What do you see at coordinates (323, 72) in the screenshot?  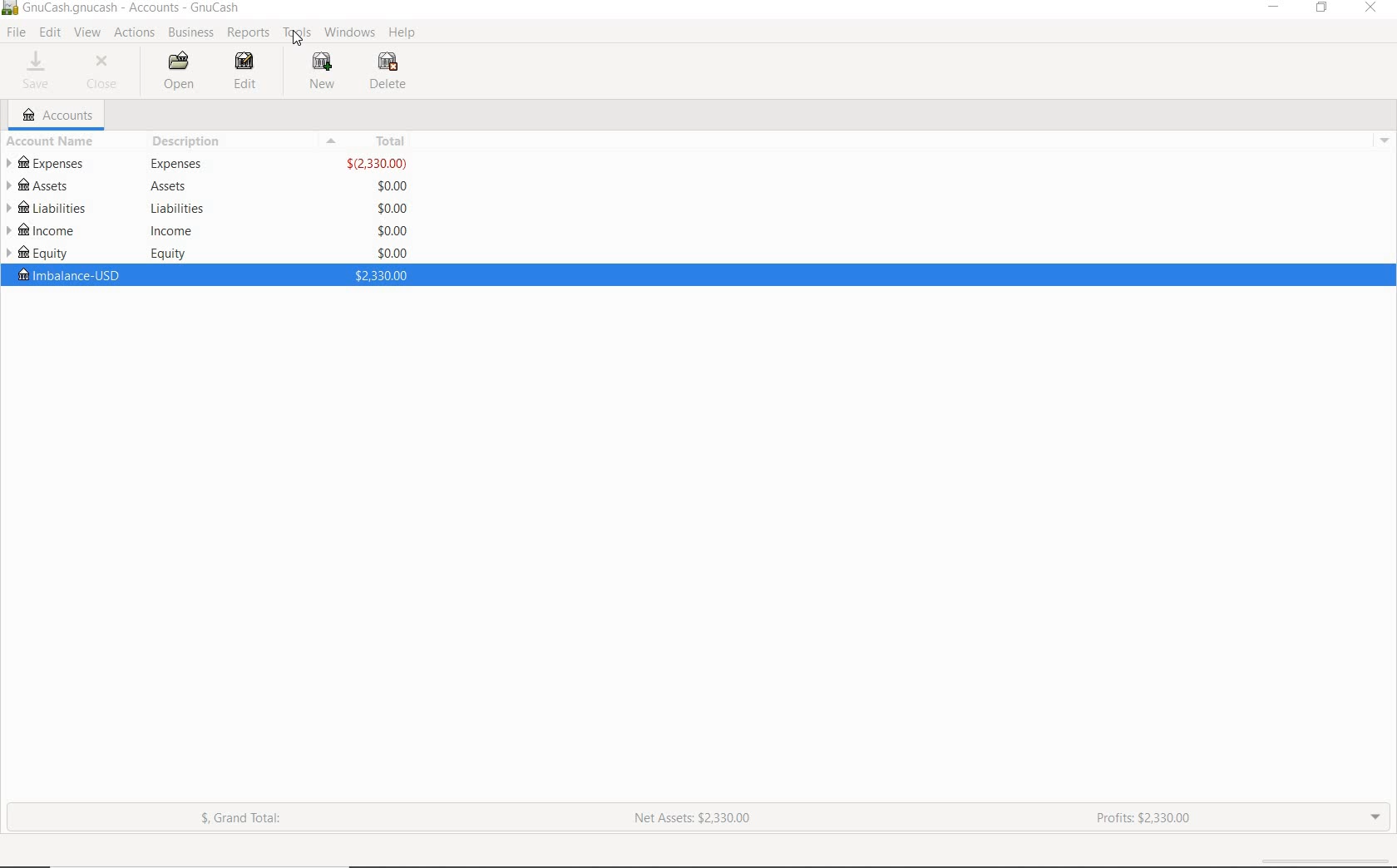 I see `NEW` at bounding box center [323, 72].